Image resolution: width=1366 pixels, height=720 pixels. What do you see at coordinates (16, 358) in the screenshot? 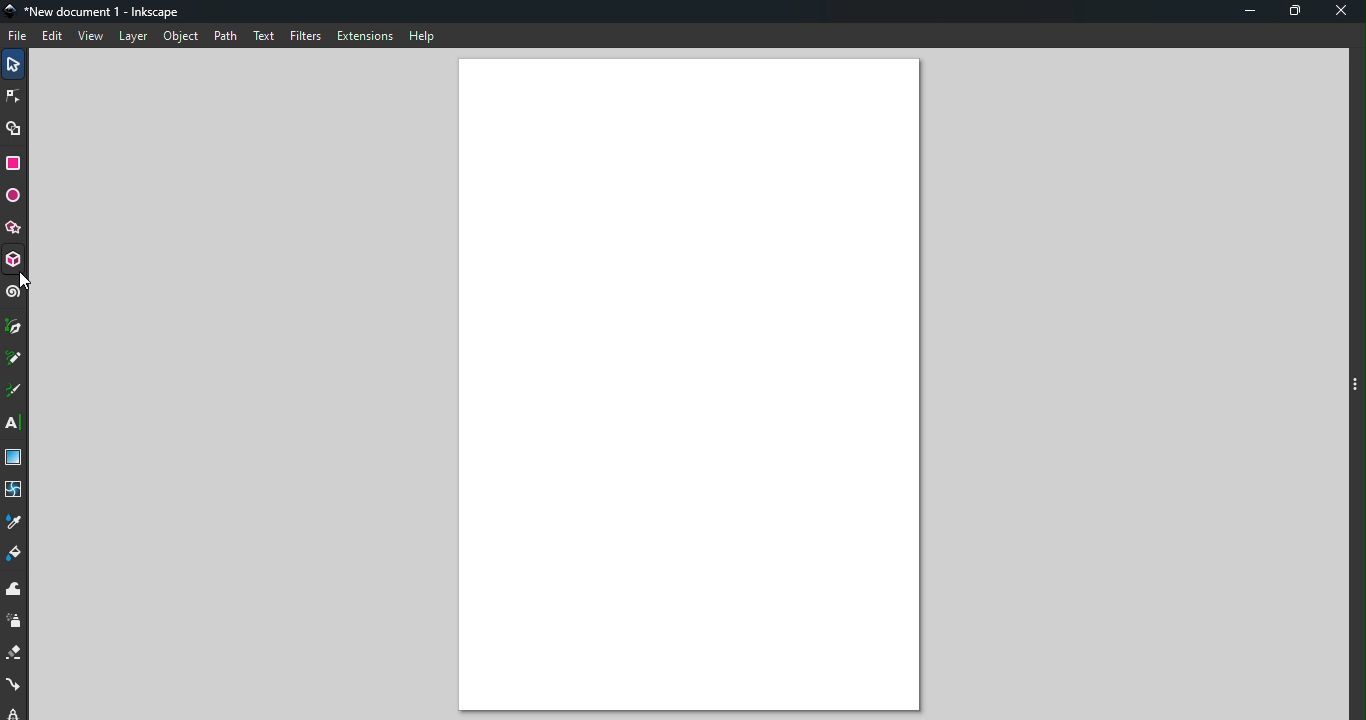
I see `Pencil tool` at bounding box center [16, 358].